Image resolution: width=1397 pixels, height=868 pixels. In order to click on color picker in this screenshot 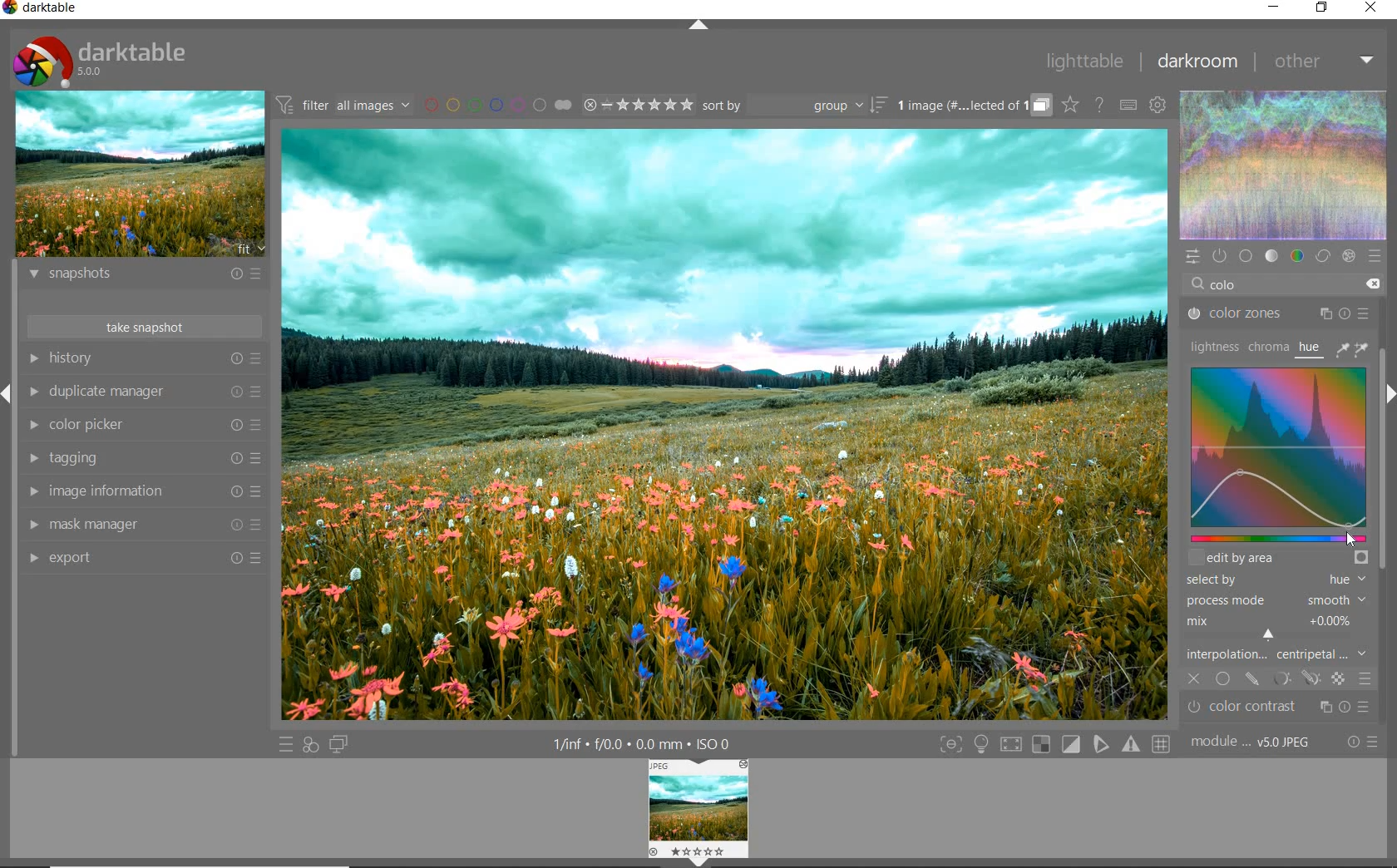, I will do `click(144, 424)`.